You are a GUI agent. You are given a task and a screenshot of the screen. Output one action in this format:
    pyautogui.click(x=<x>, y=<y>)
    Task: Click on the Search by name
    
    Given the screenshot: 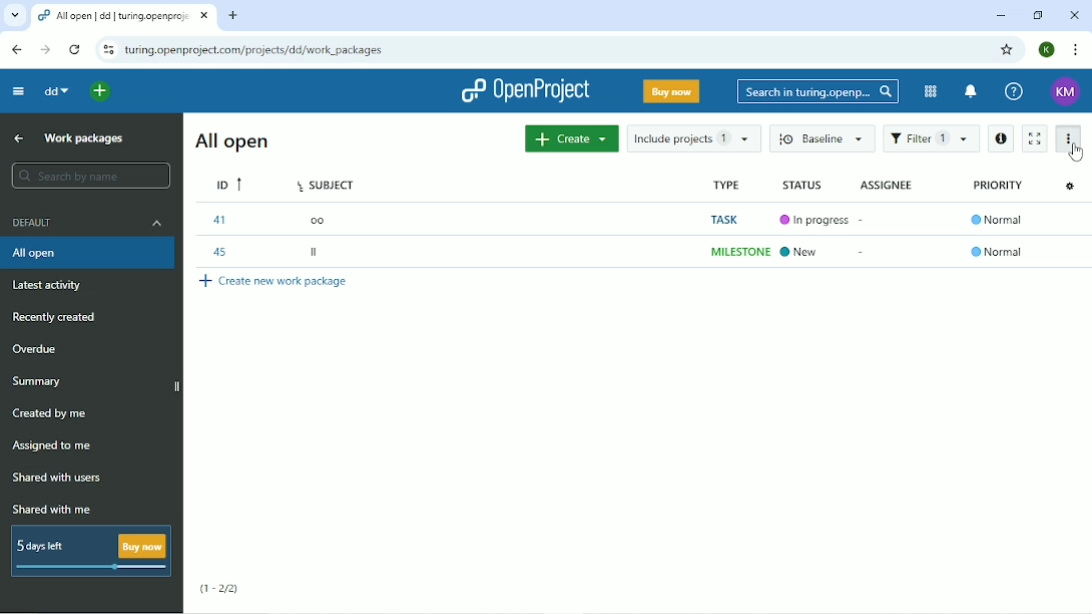 What is the action you would take?
    pyautogui.click(x=93, y=177)
    